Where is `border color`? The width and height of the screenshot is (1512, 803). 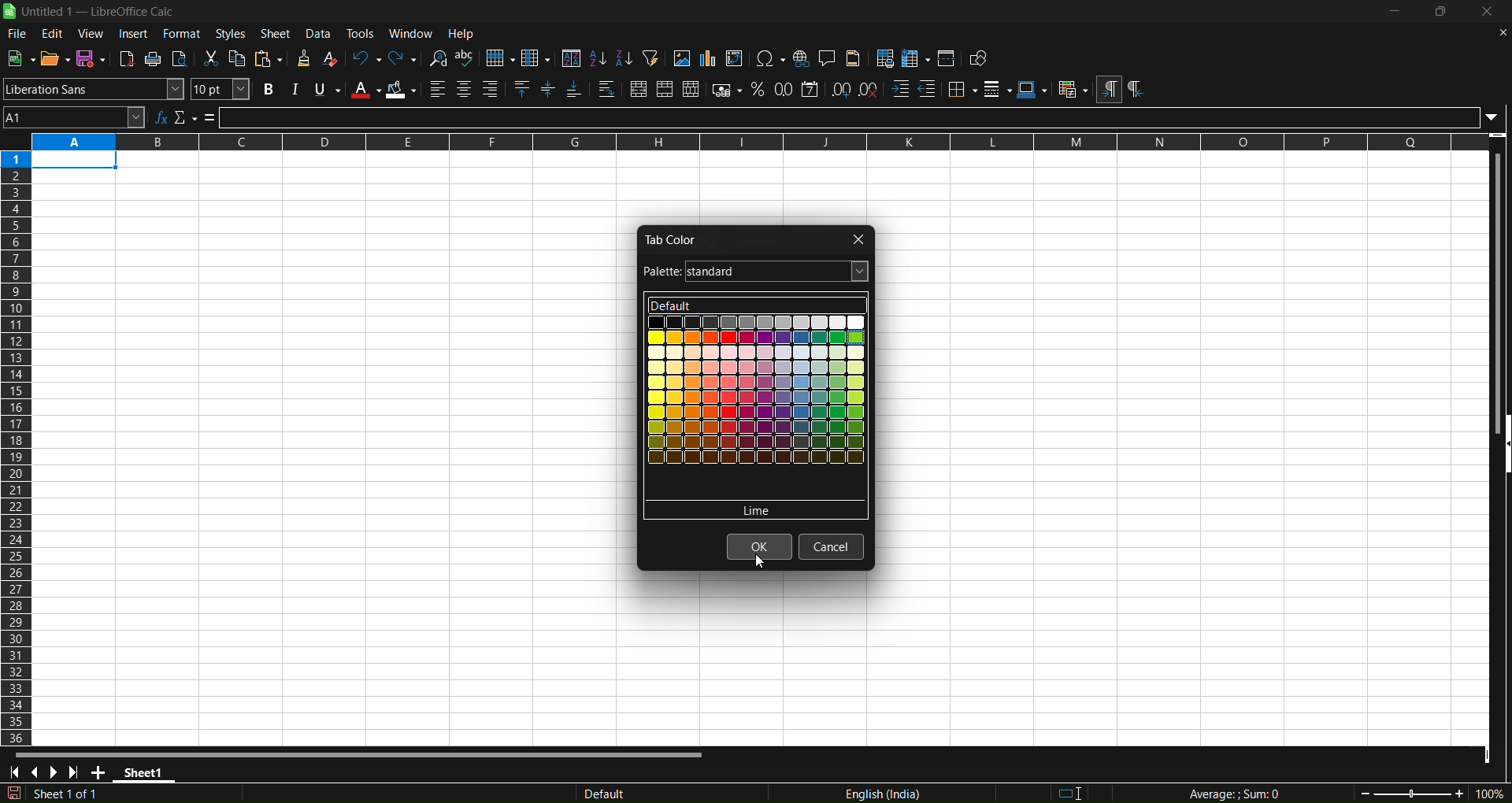
border color is located at coordinates (1032, 89).